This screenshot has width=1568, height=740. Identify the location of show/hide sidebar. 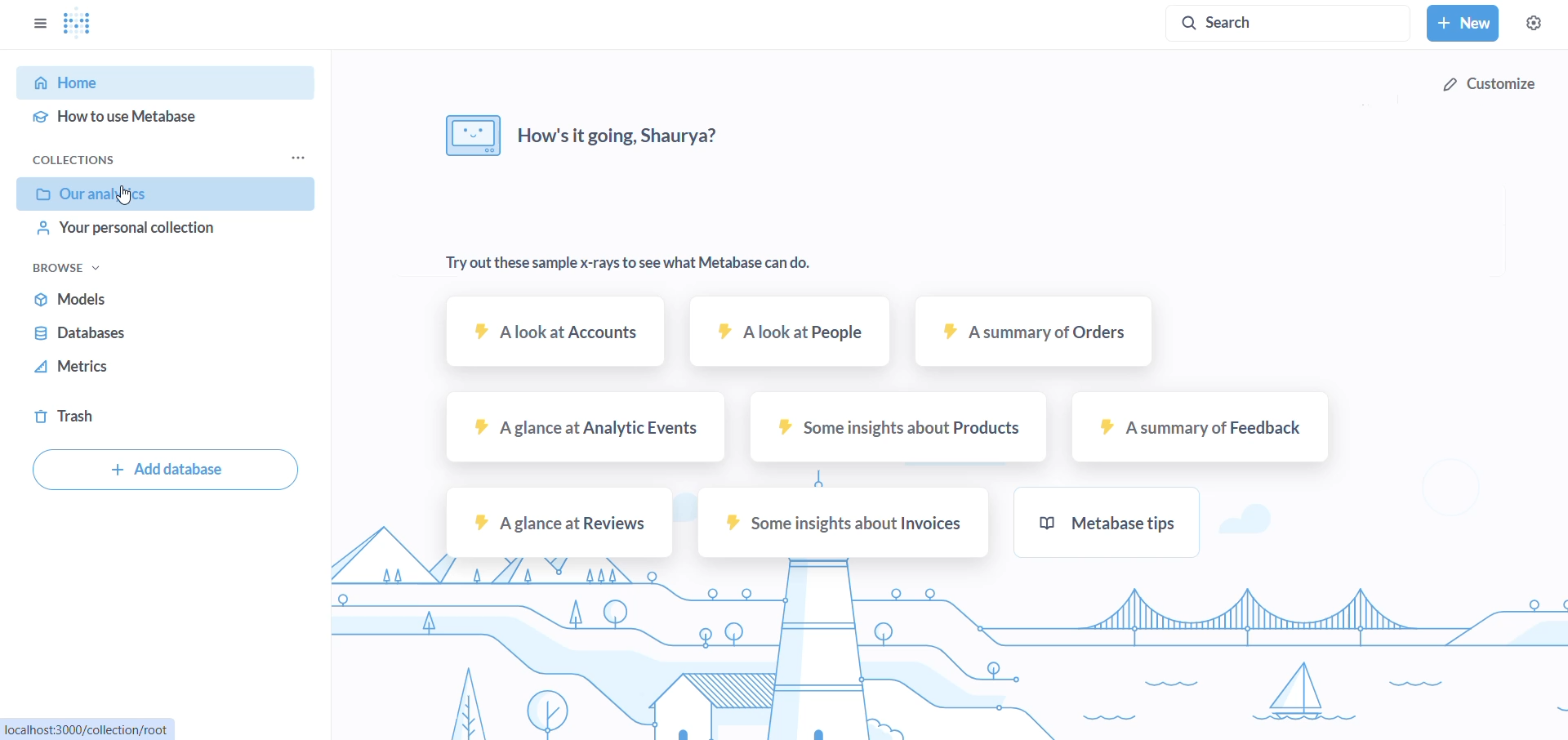
(36, 22).